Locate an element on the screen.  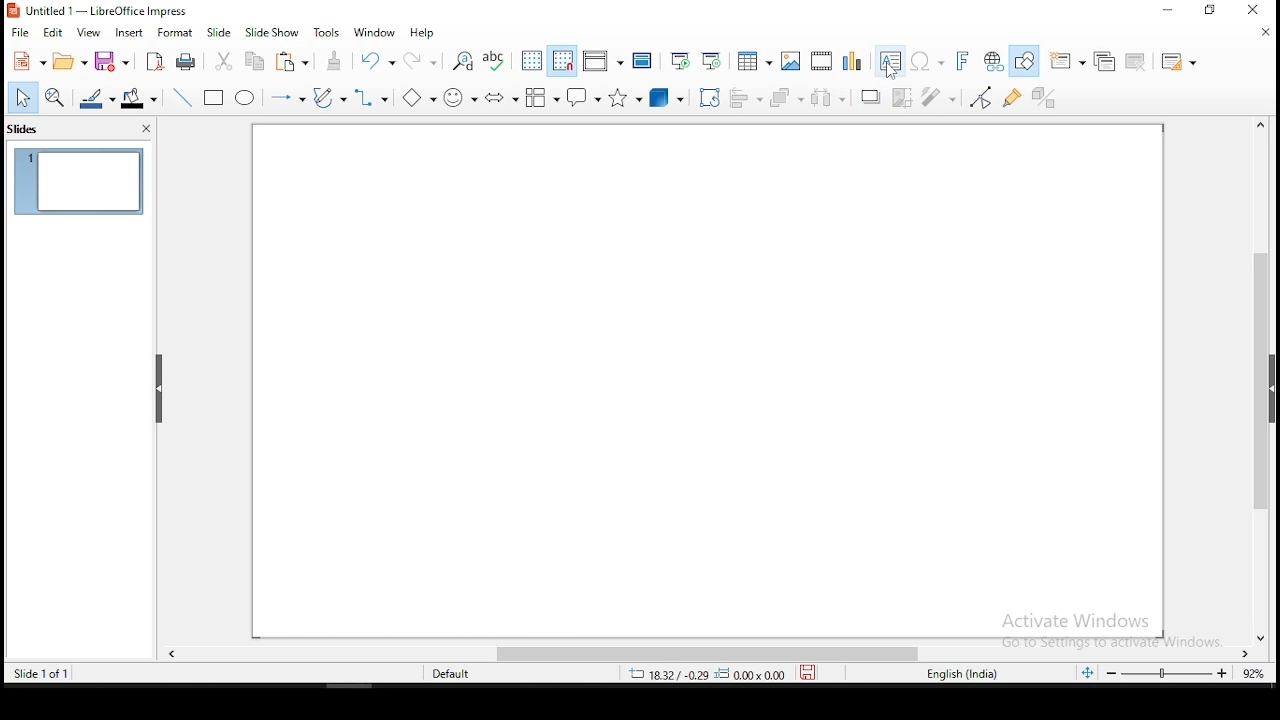
image is located at coordinates (792, 61).